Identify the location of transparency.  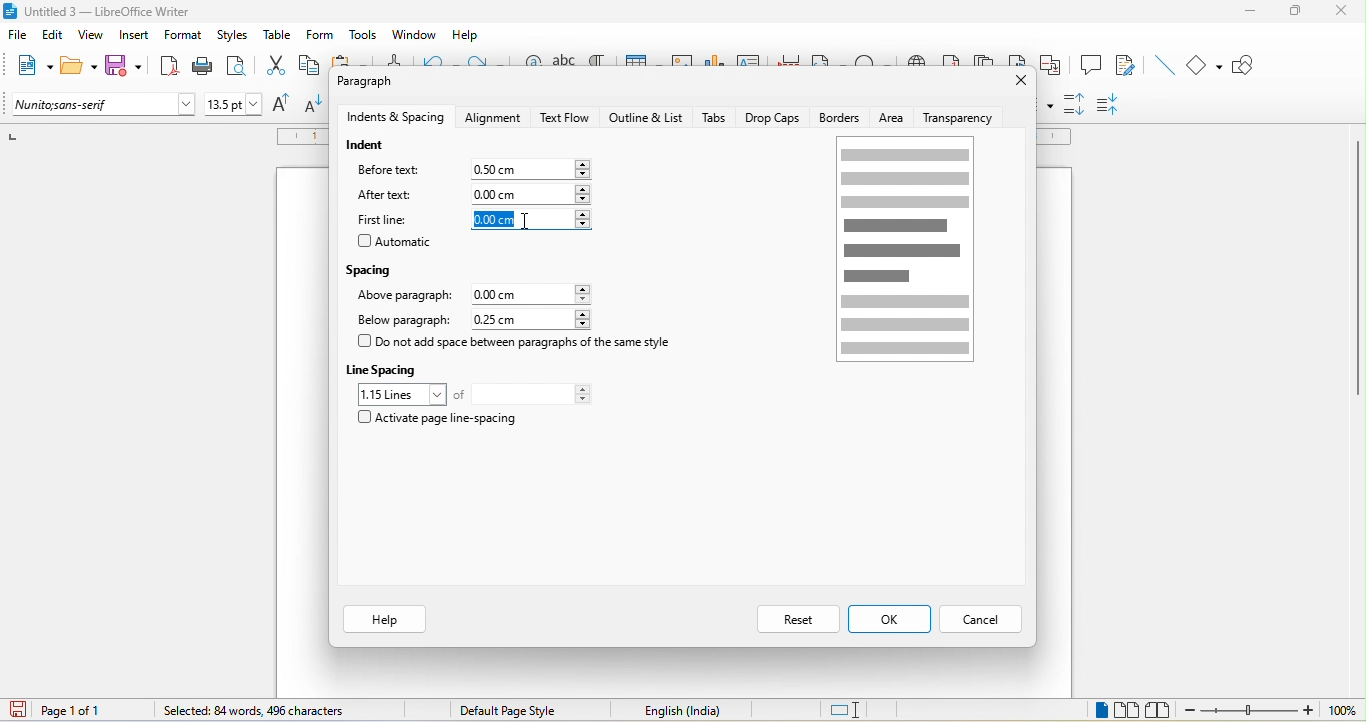
(960, 119).